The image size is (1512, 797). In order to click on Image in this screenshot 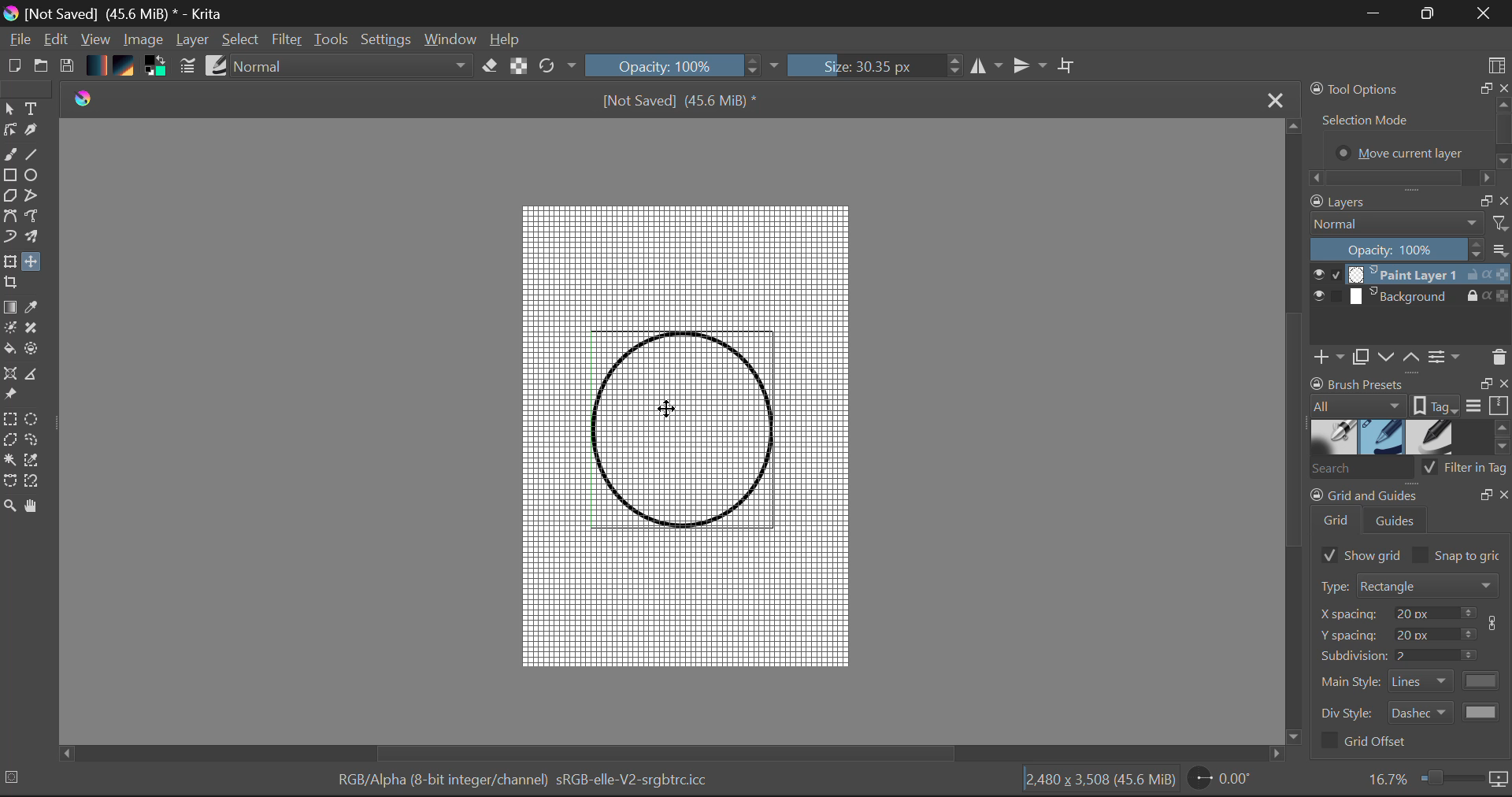, I will do `click(143, 41)`.